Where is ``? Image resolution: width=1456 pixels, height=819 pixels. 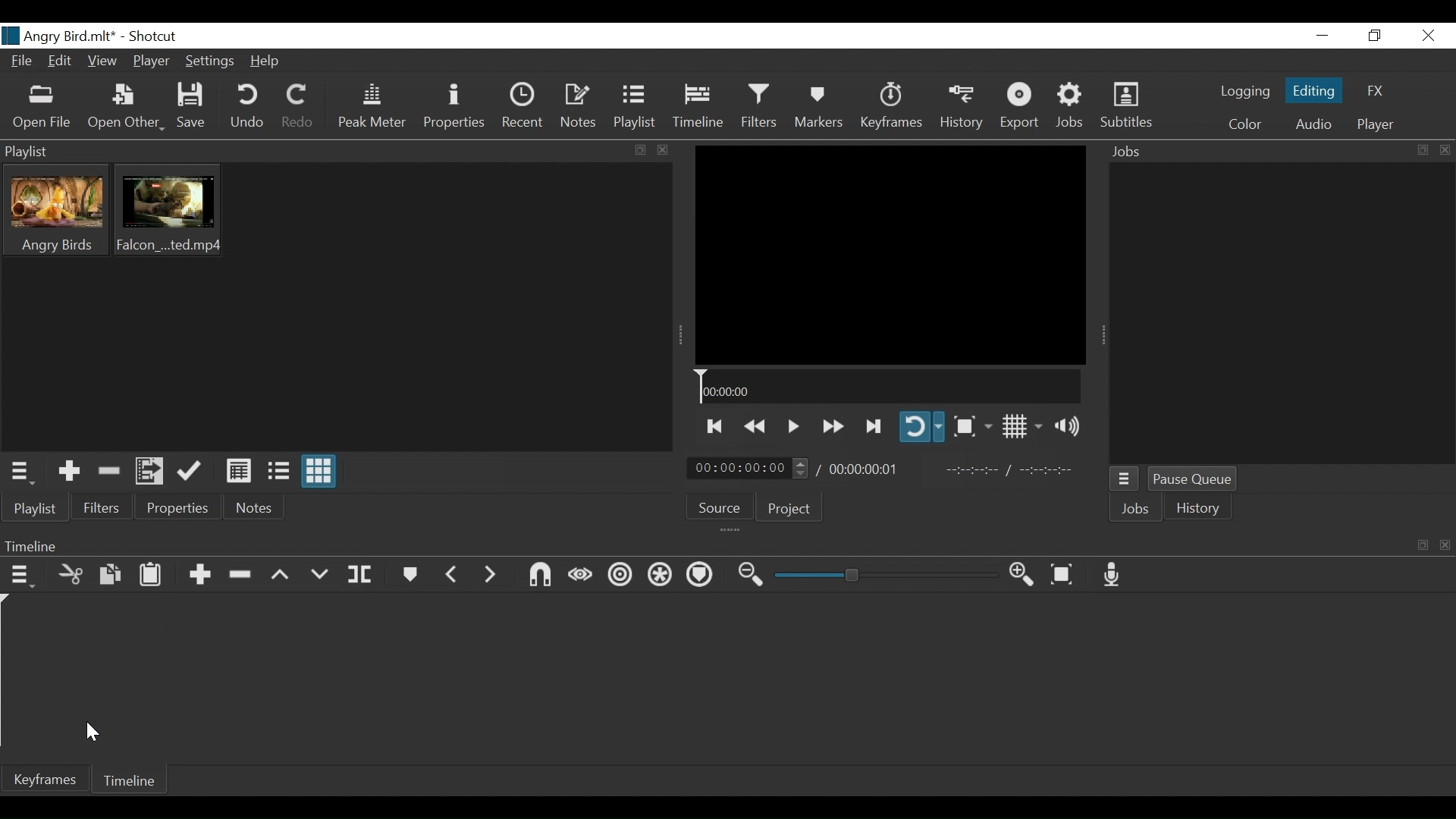
 is located at coordinates (635, 108).